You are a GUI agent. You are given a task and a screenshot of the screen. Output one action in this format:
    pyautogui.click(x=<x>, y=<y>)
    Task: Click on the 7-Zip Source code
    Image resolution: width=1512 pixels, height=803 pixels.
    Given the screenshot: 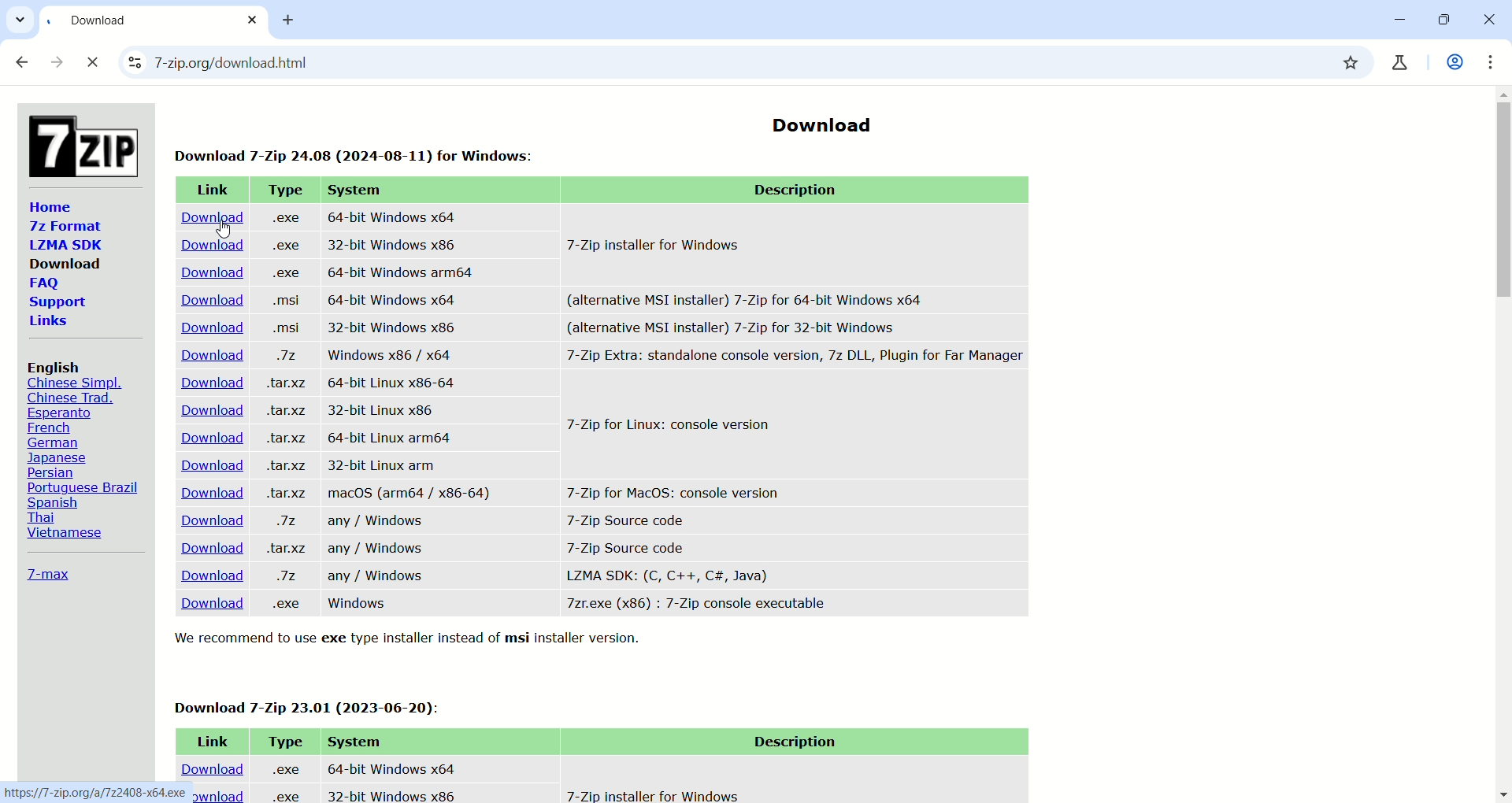 What is the action you would take?
    pyautogui.click(x=627, y=546)
    